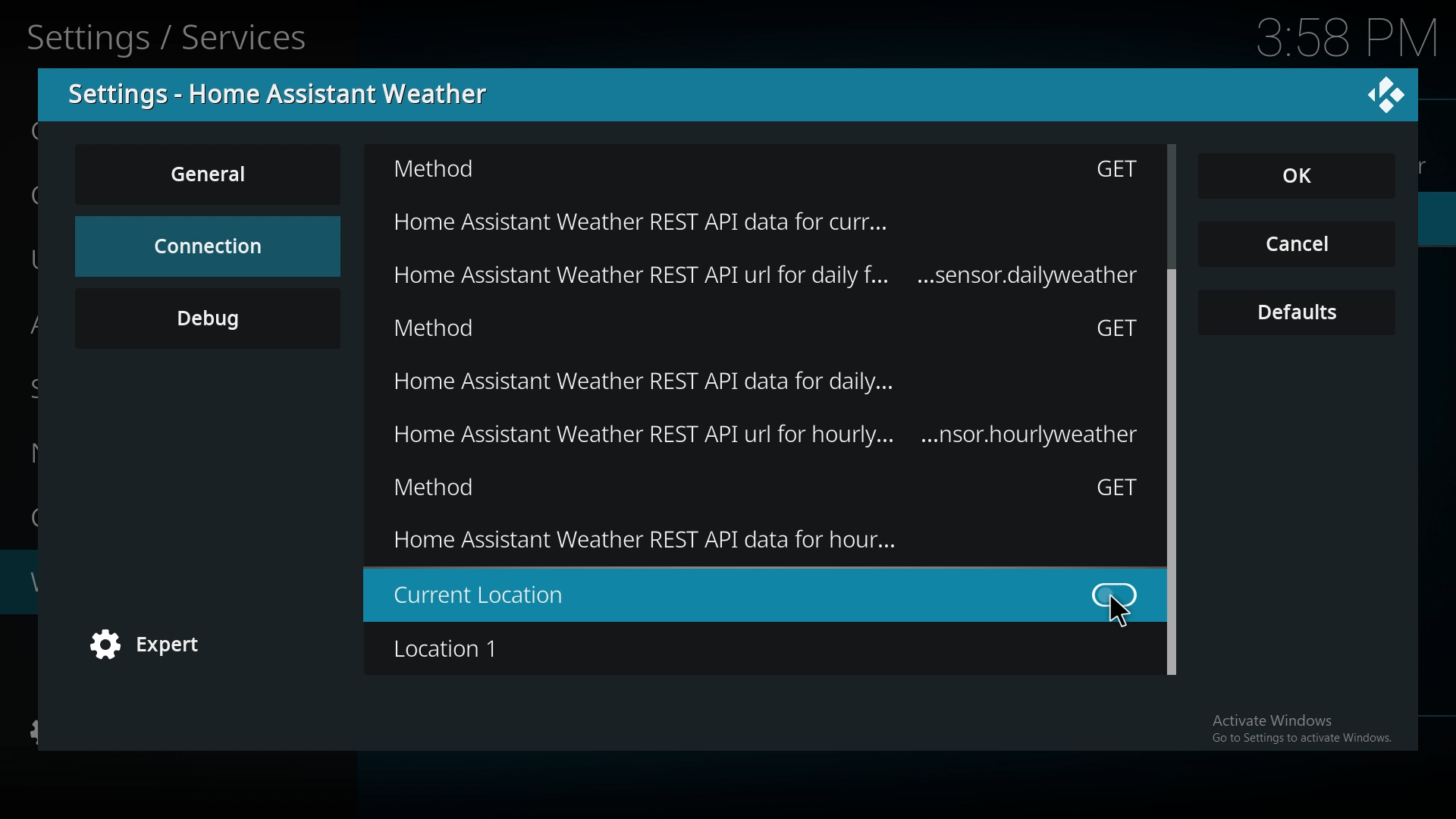  Describe the element at coordinates (155, 646) in the screenshot. I see `expert` at that location.